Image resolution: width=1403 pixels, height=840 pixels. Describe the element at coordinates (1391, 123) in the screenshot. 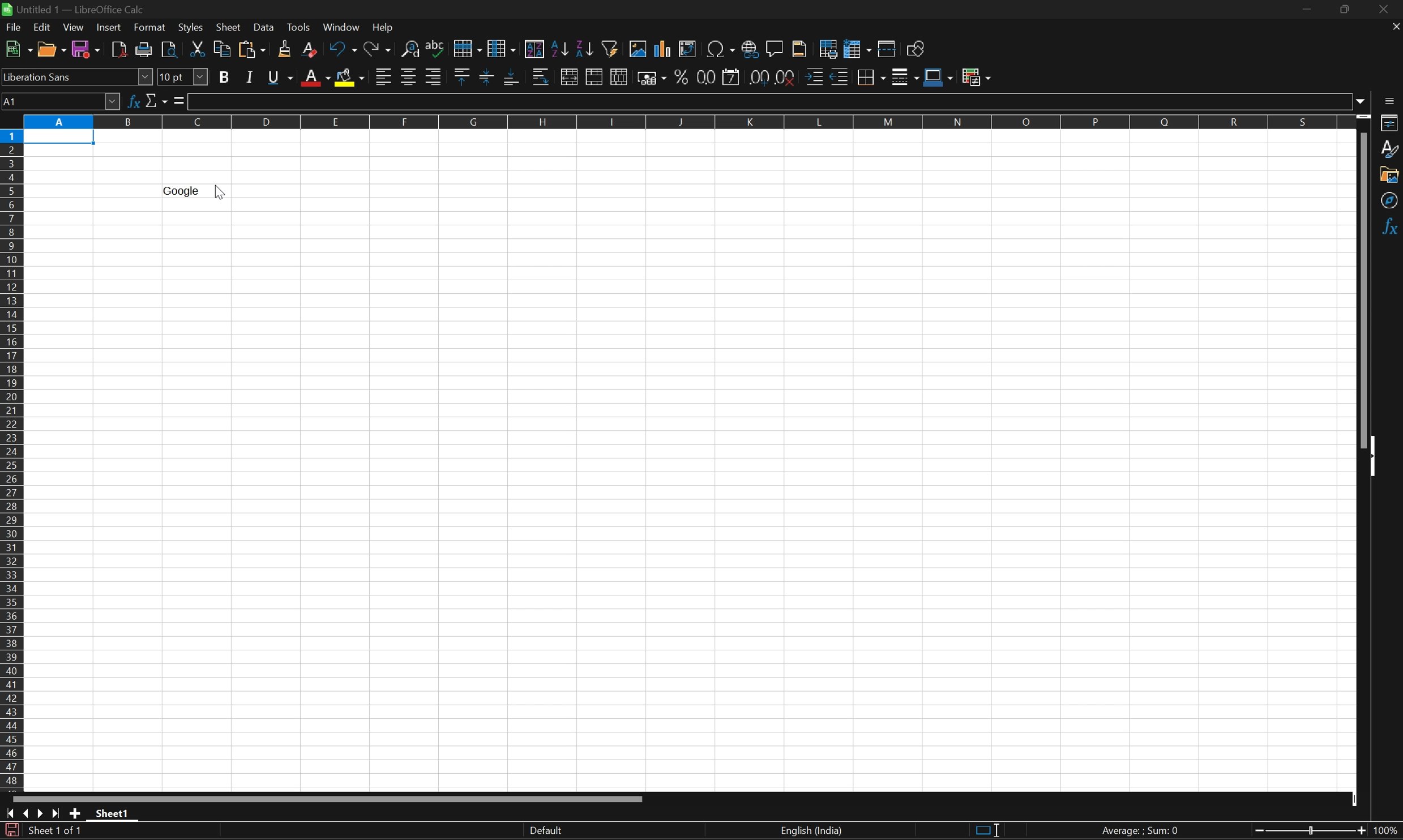

I see `Properties` at that location.